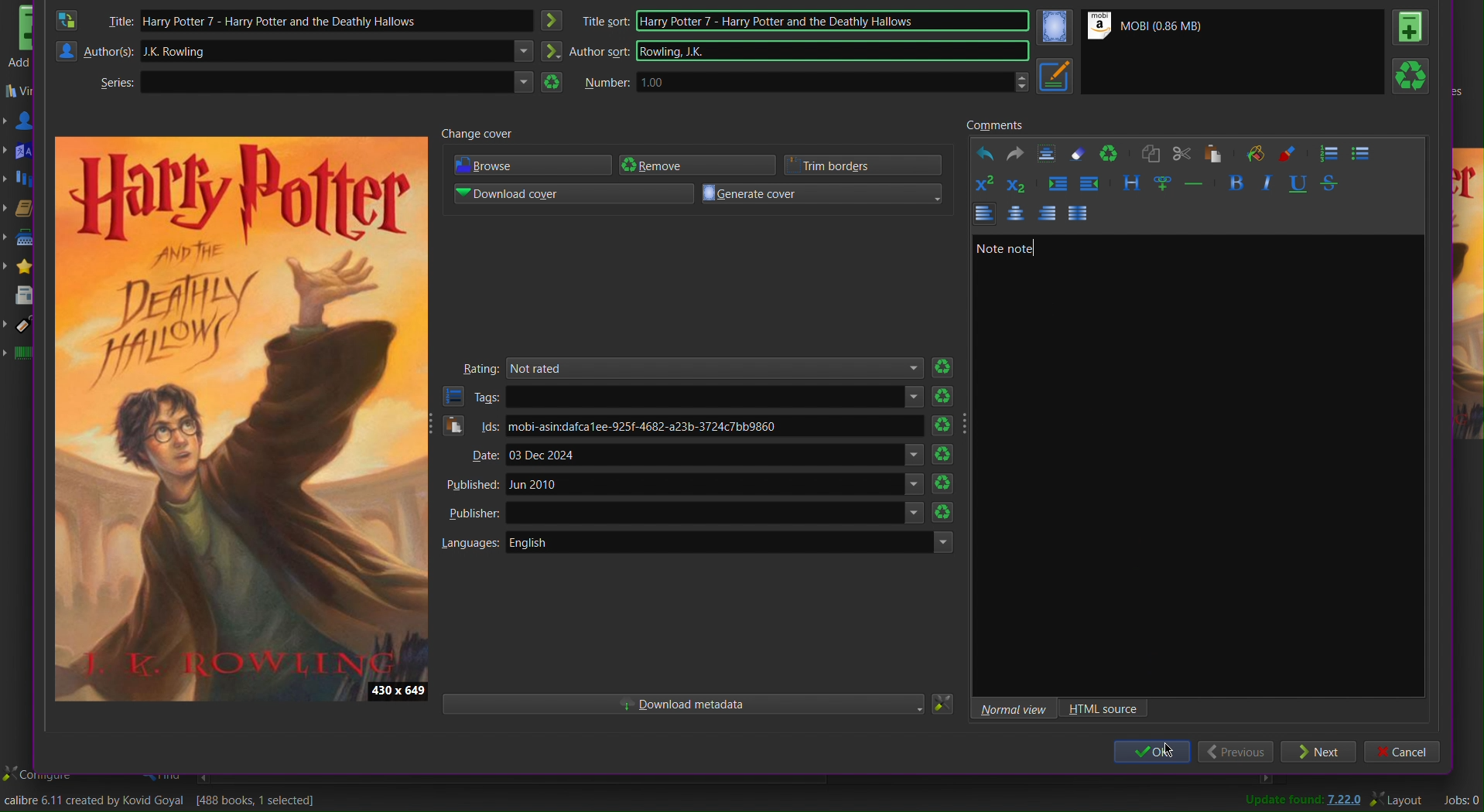 The image size is (1484, 812). I want to click on Undo, so click(987, 154).